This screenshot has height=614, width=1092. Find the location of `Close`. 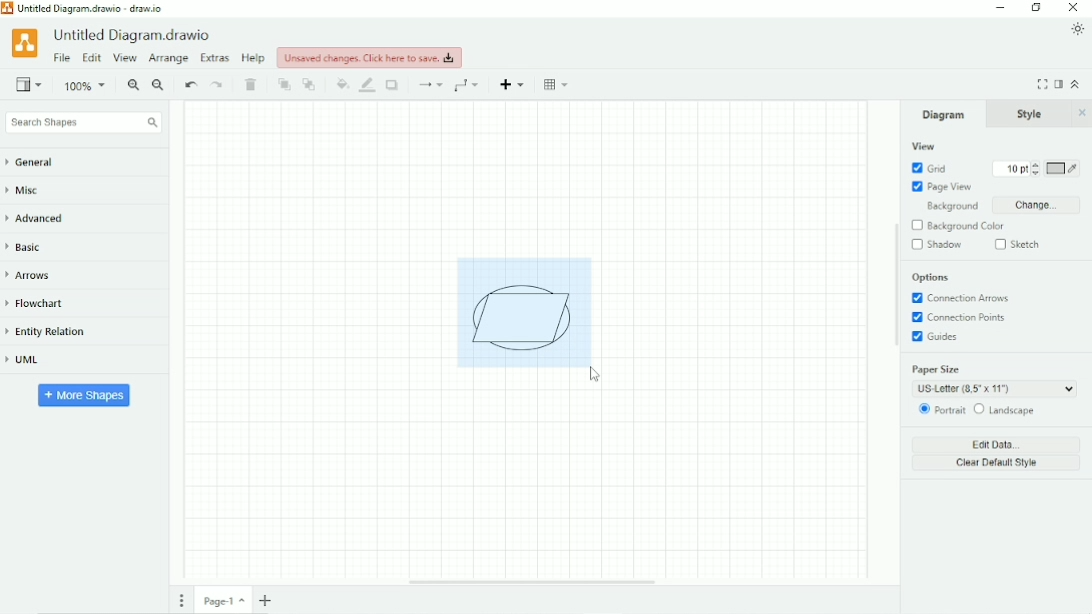

Close is located at coordinates (1074, 8).